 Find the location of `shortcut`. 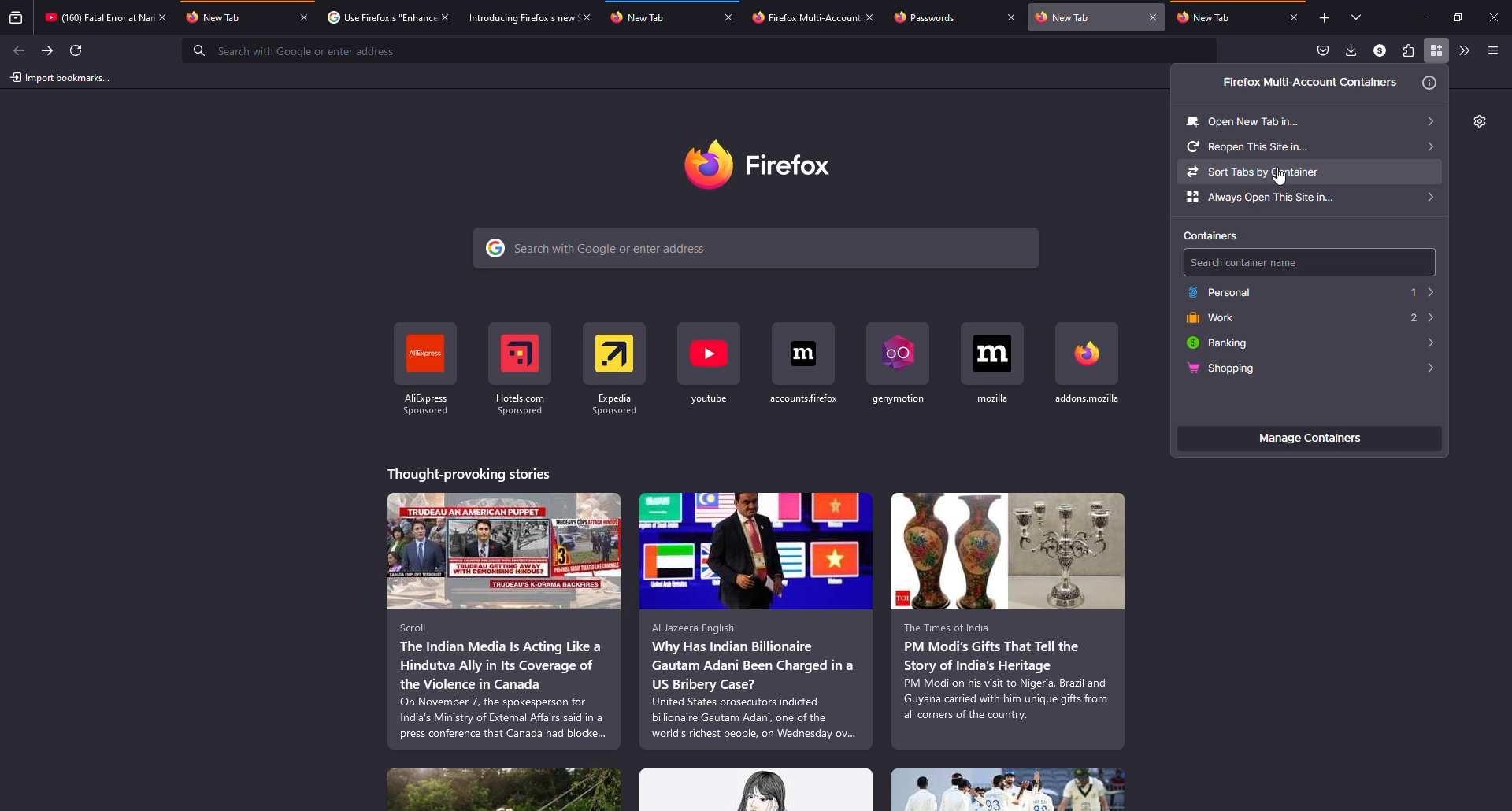

shortcut is located at coordinates (902, 363).